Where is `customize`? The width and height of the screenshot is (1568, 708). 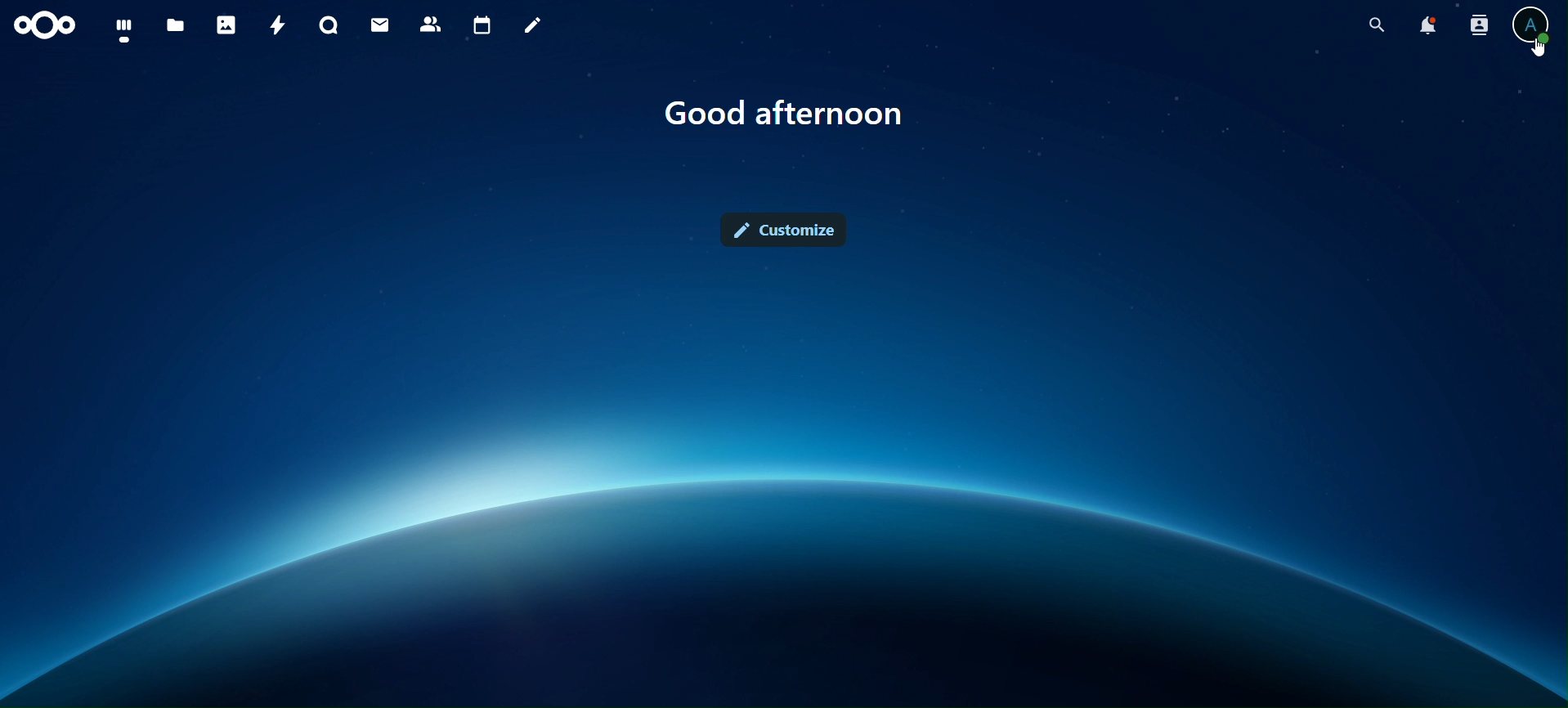 customize is located at coordinates (788, 230).